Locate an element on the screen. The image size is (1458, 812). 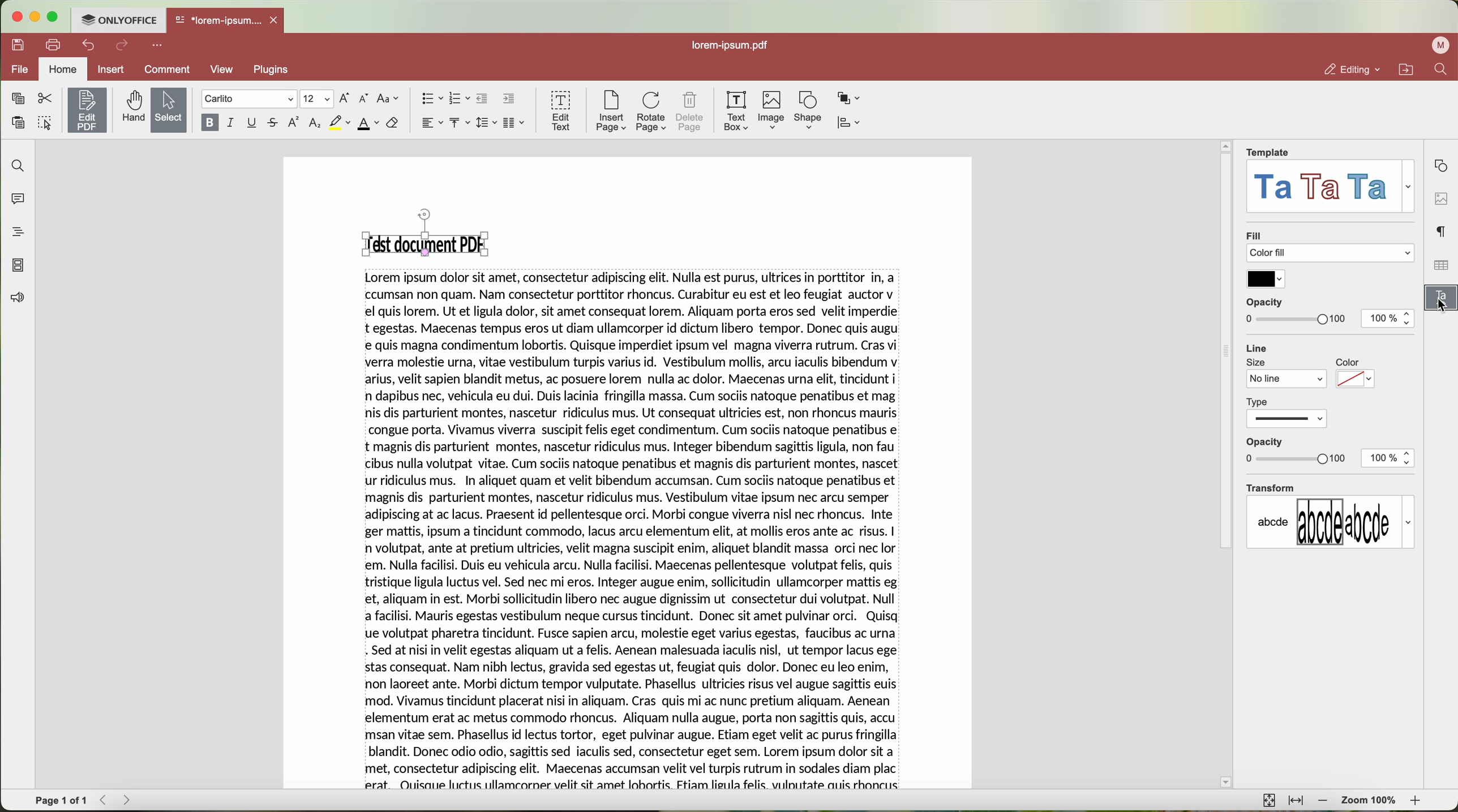
Forward is located at coordinates (130, 800).